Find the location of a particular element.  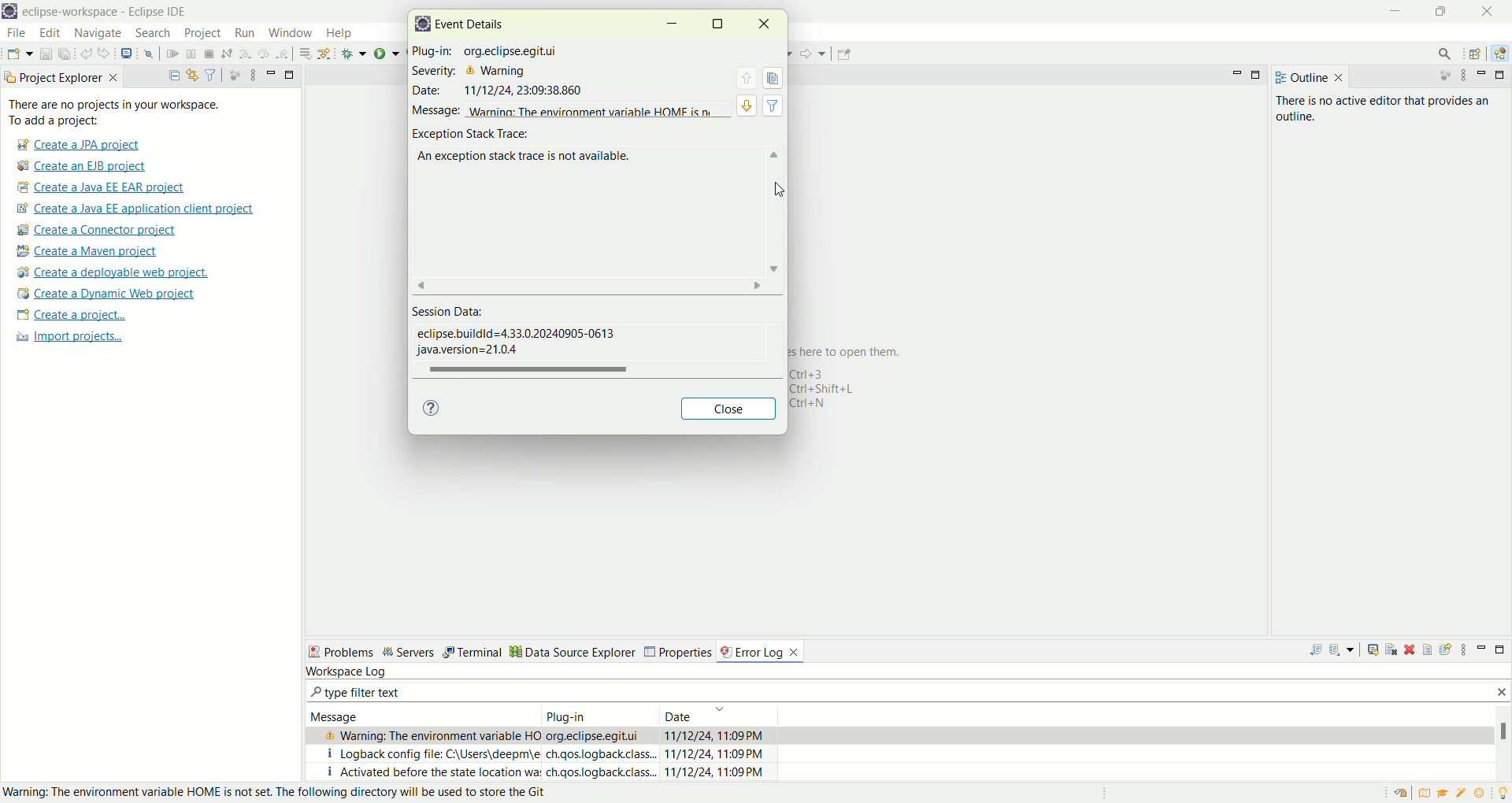

Data source explorer is located at coordinates (576, 651).